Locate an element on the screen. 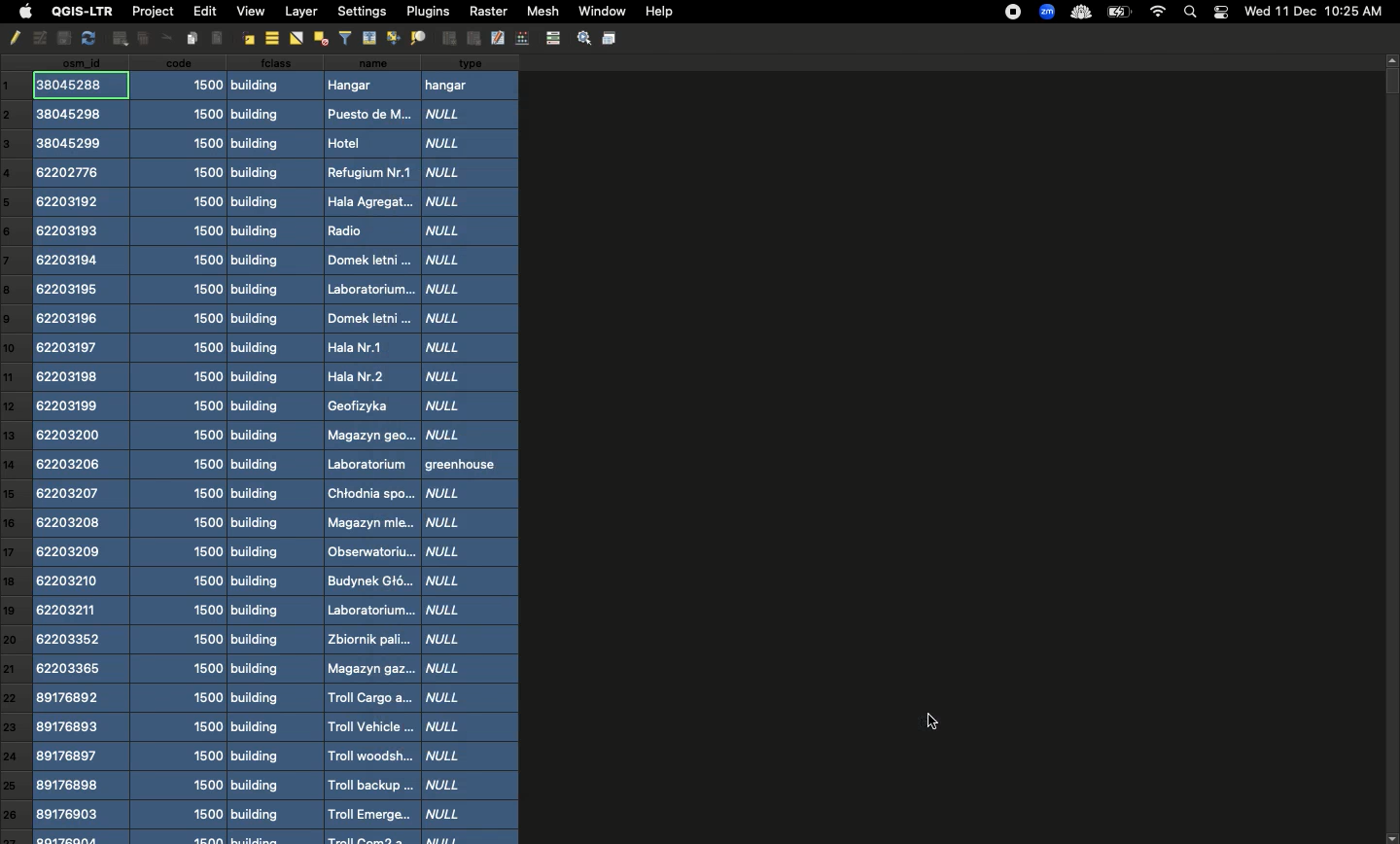 The height and width of the screenshot is (844, 1400). recording is located at coordinates (1010, 13).